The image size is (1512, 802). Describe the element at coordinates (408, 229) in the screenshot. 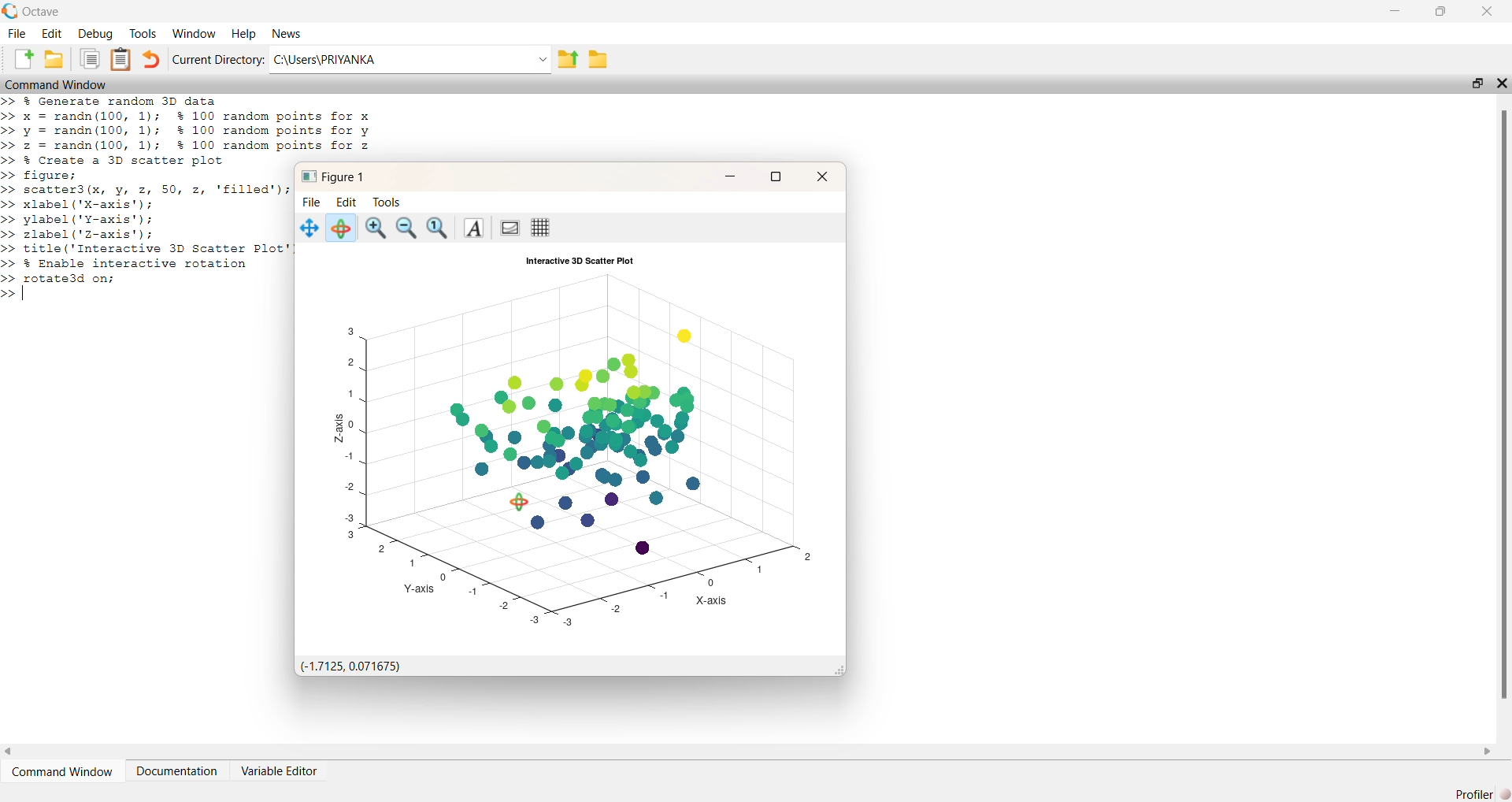

I see `zoom out` at that location.